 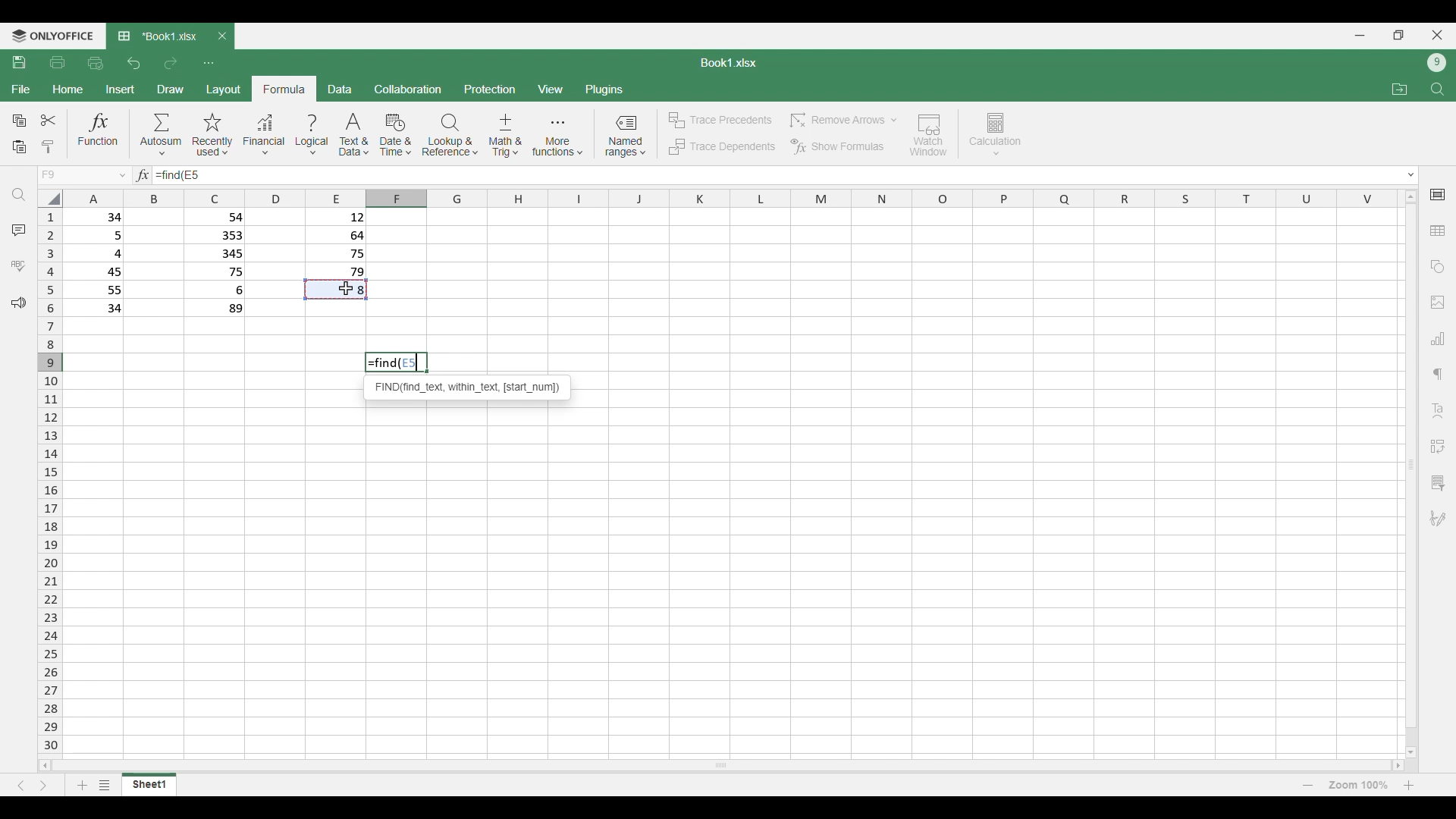 What do you see at coordinates (395, 135) in the screenshot?
I see `Date and time` at bounding box center [395, 135].